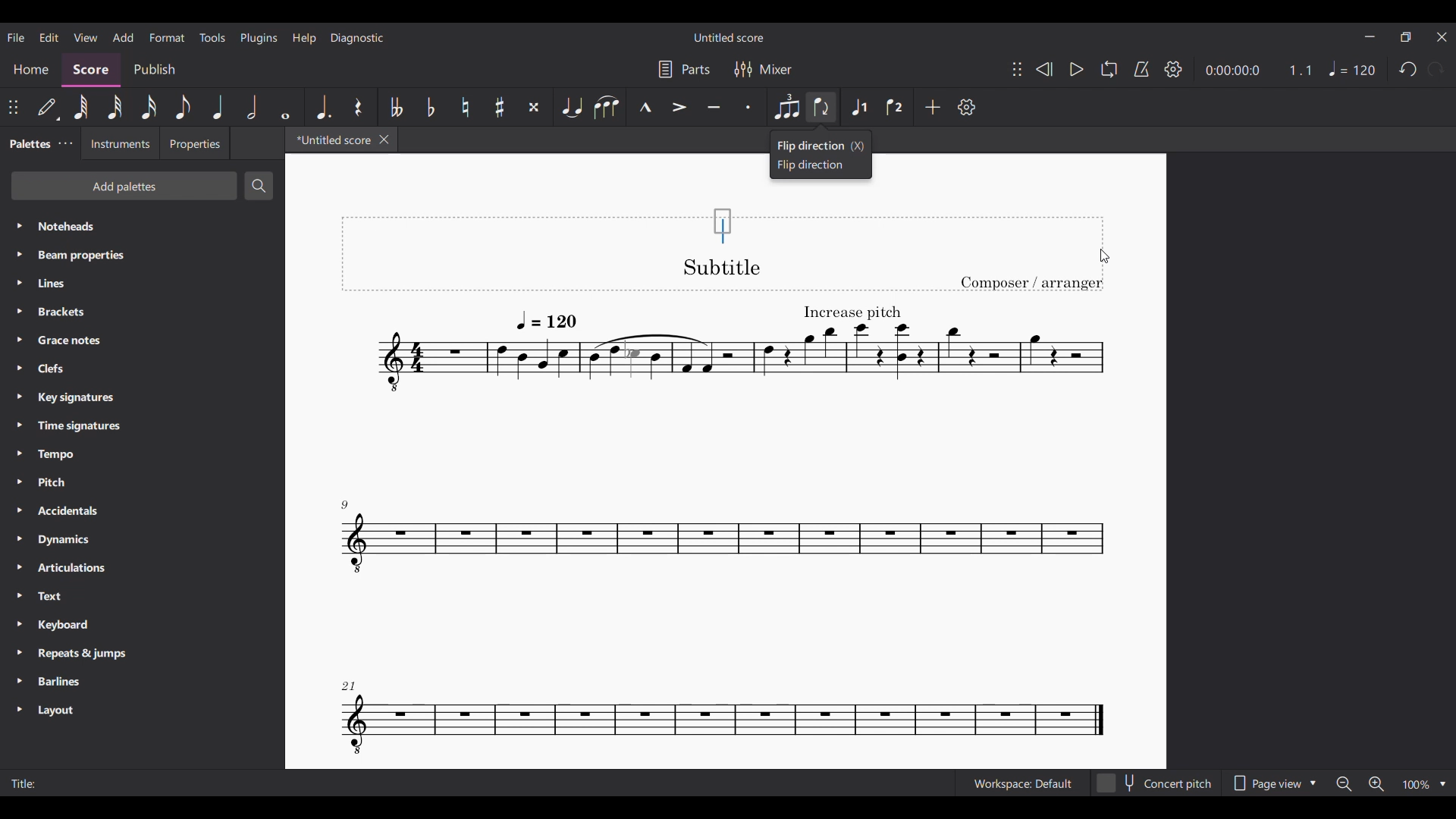  Describe the element at coordinates (253, 107) in the screenshot. I see `Half note` at that location.